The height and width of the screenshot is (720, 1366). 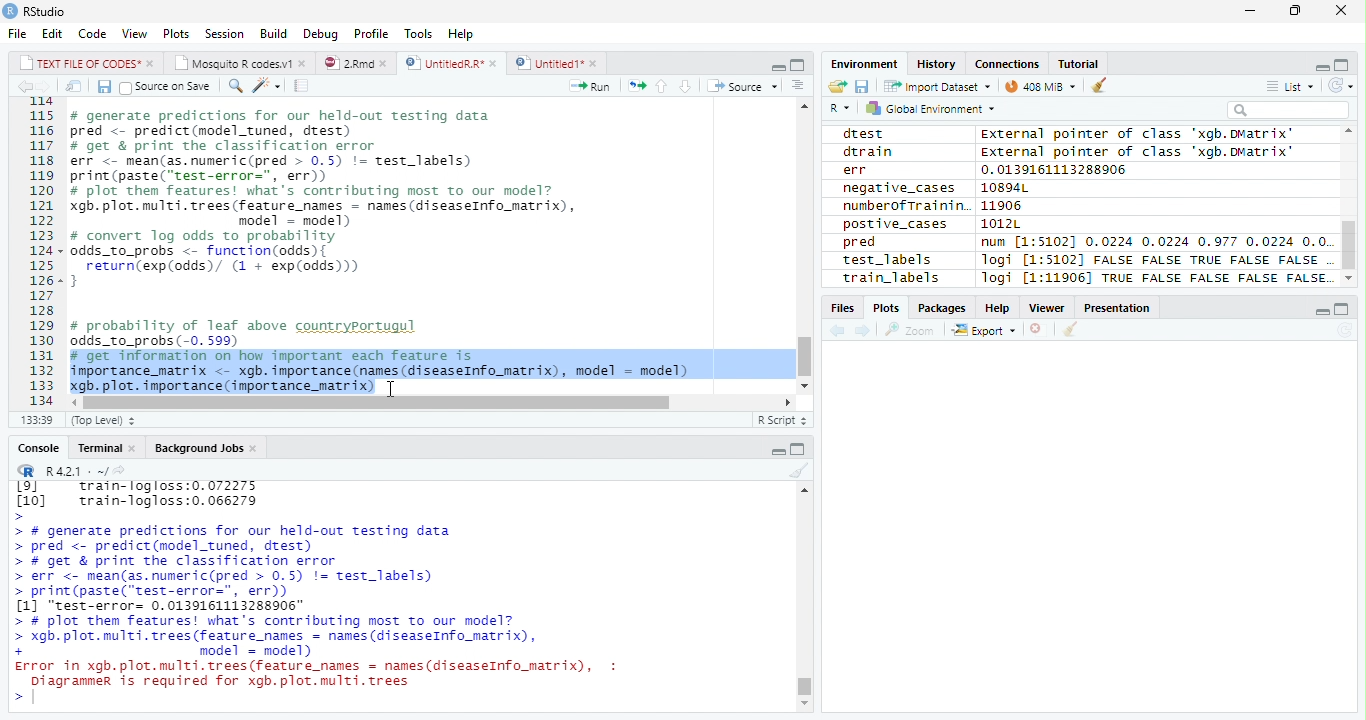 I want to click on Edit, so click(x=50, y=33).